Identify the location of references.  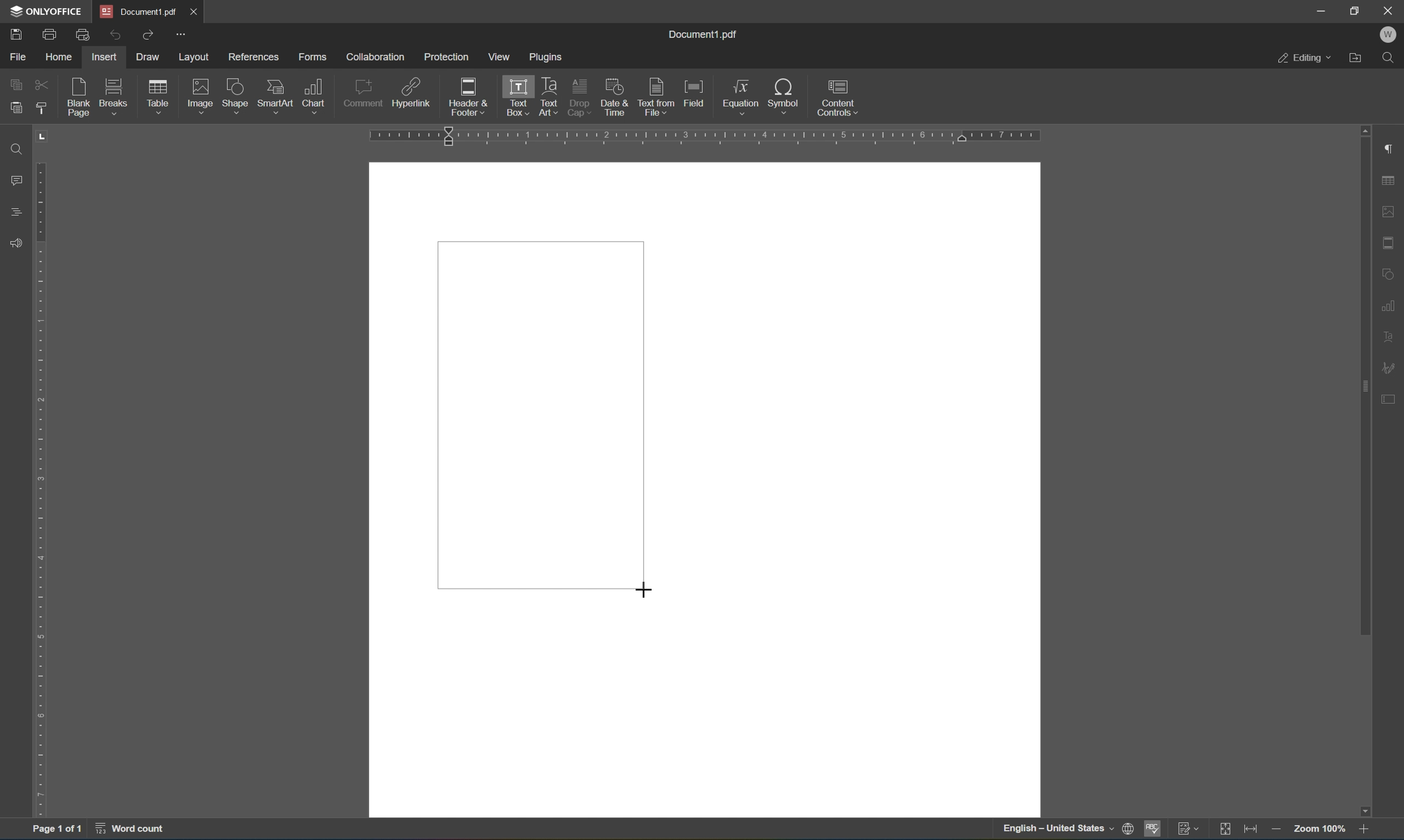
(254, 58).